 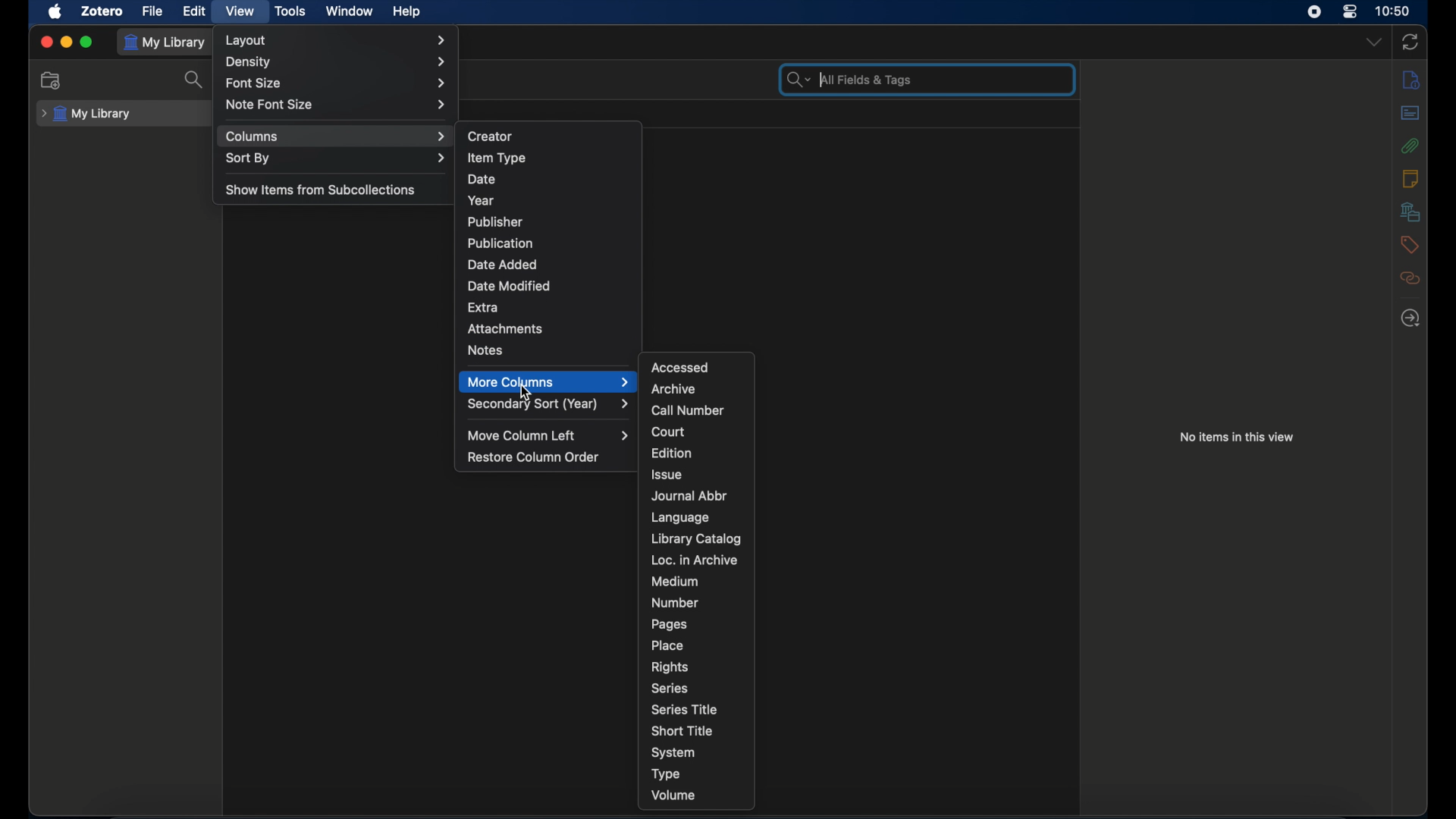 I want to click on info, so click(x=1410, y=80).